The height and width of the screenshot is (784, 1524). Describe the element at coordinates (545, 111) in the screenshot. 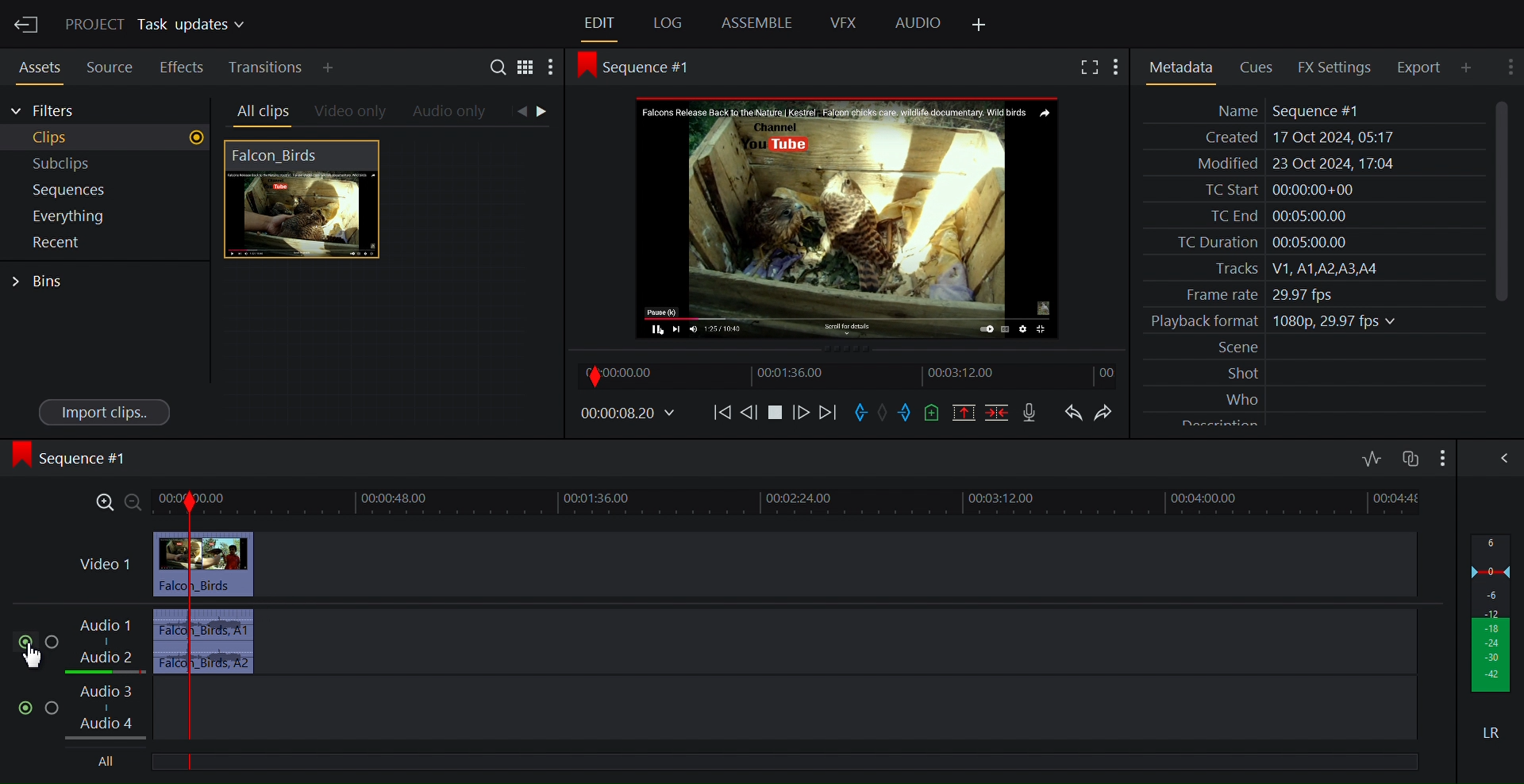

I see `Clip to go forward` at that location.